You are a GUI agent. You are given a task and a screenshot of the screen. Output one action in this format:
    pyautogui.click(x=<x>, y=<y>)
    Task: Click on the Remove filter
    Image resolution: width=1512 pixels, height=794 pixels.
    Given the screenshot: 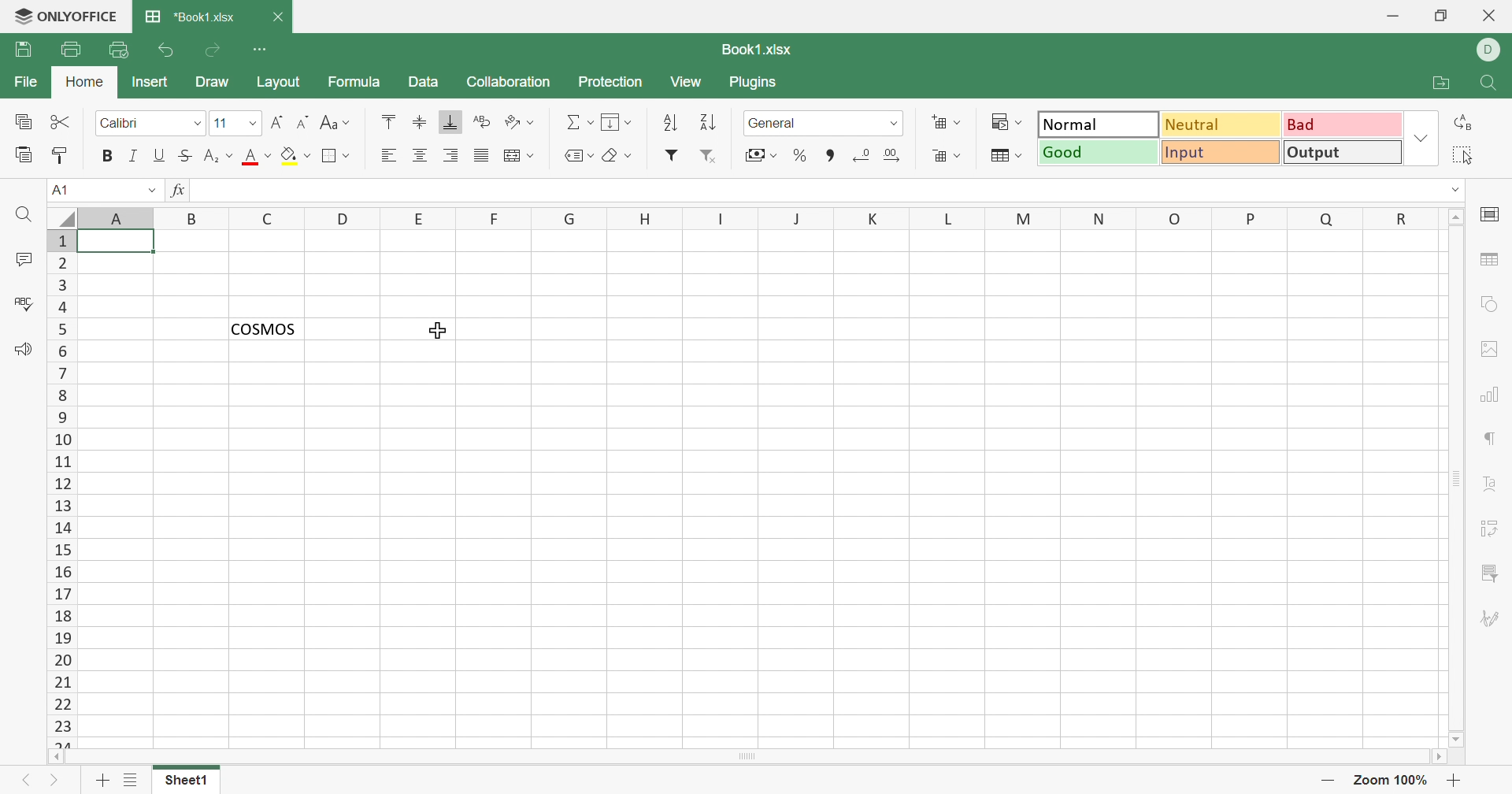 What is the action you would take?
    pyautogui.click(x=710, y=157)
    